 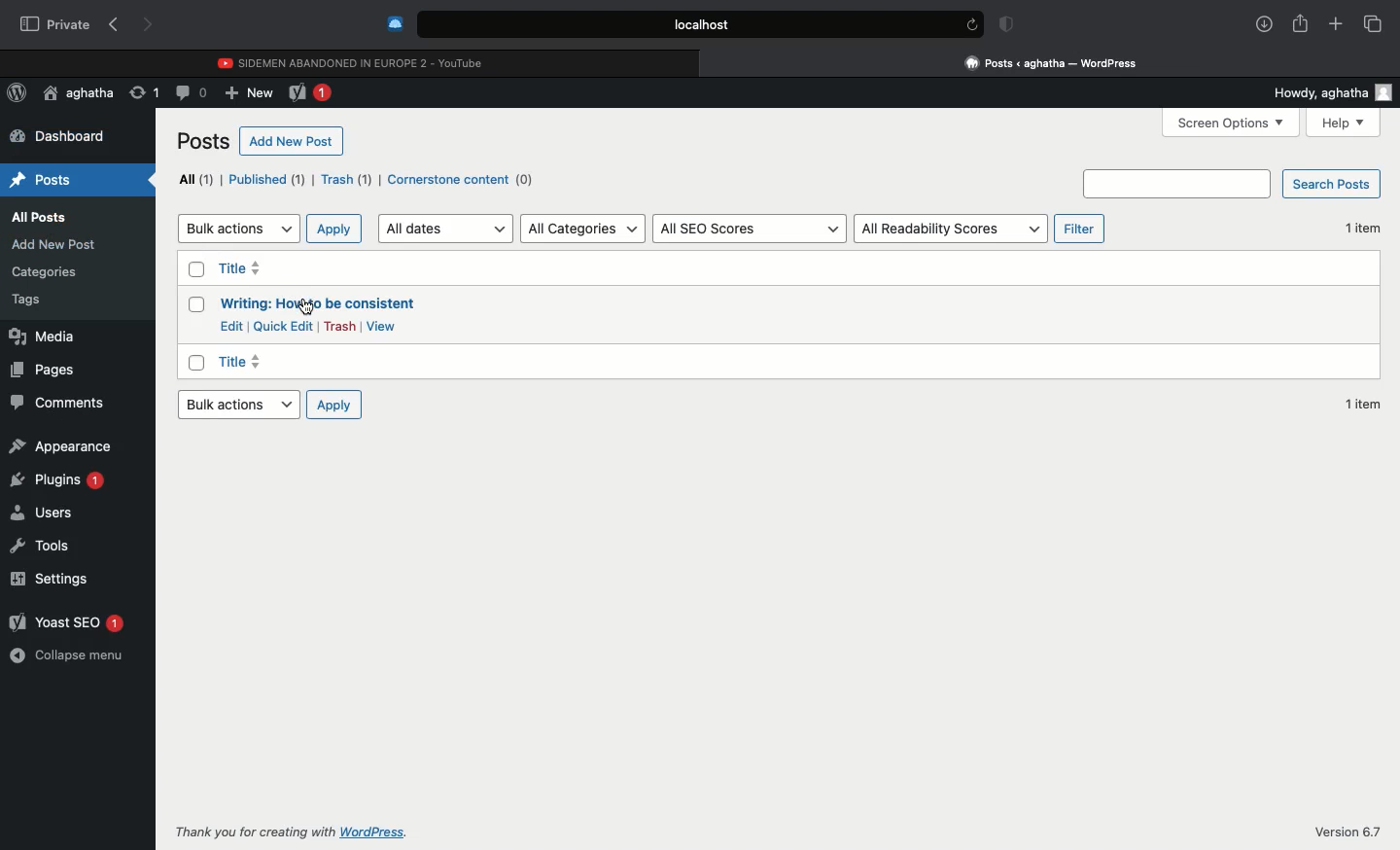 I want to click on Add new post, so click(x=293, y=141).